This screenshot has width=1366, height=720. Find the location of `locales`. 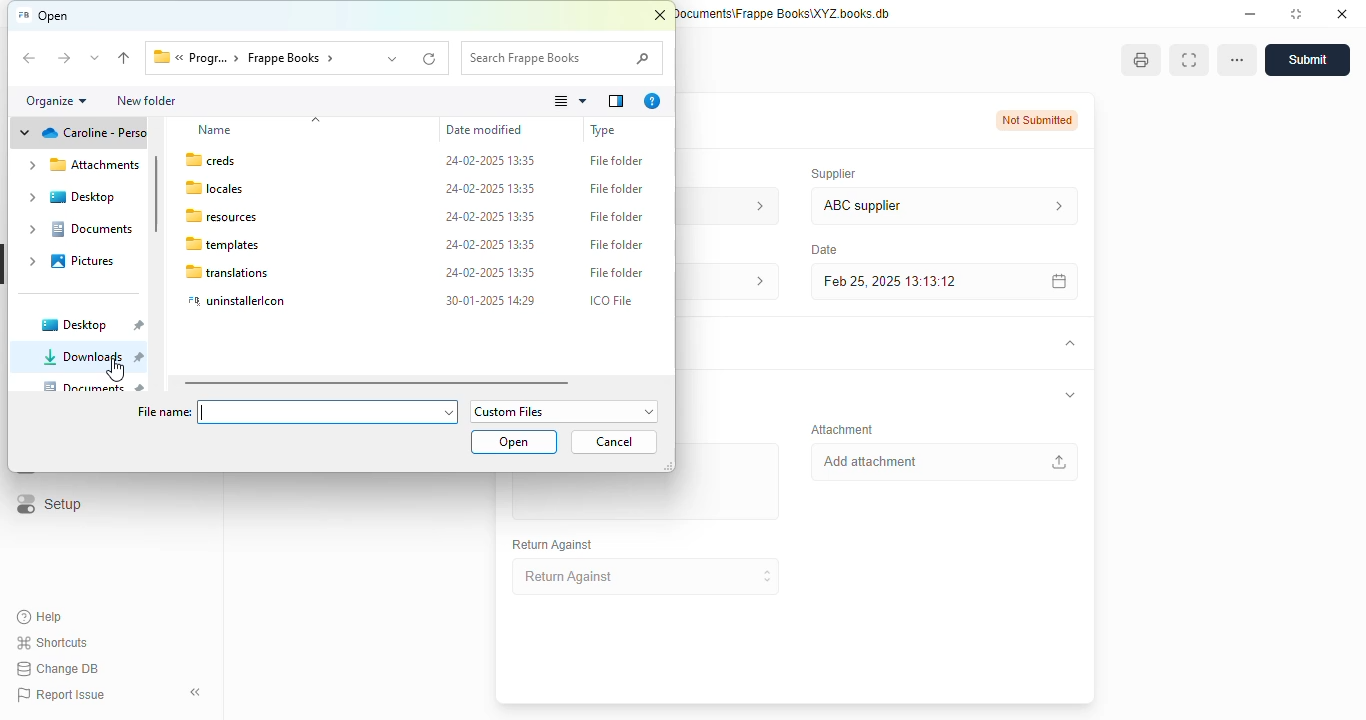

locales is located at coordinates (215, 188).